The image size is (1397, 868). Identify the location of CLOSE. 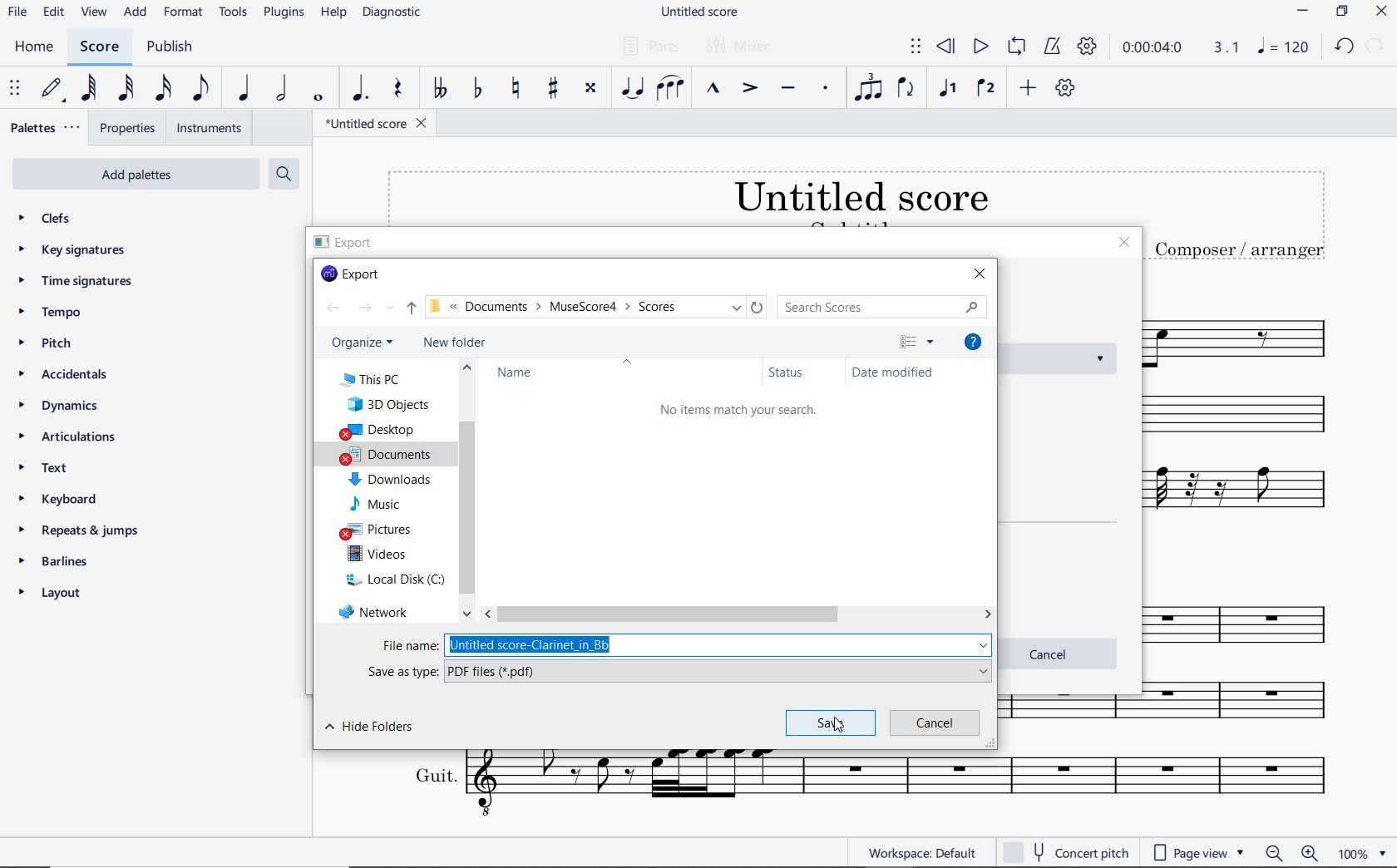
(979, 273).